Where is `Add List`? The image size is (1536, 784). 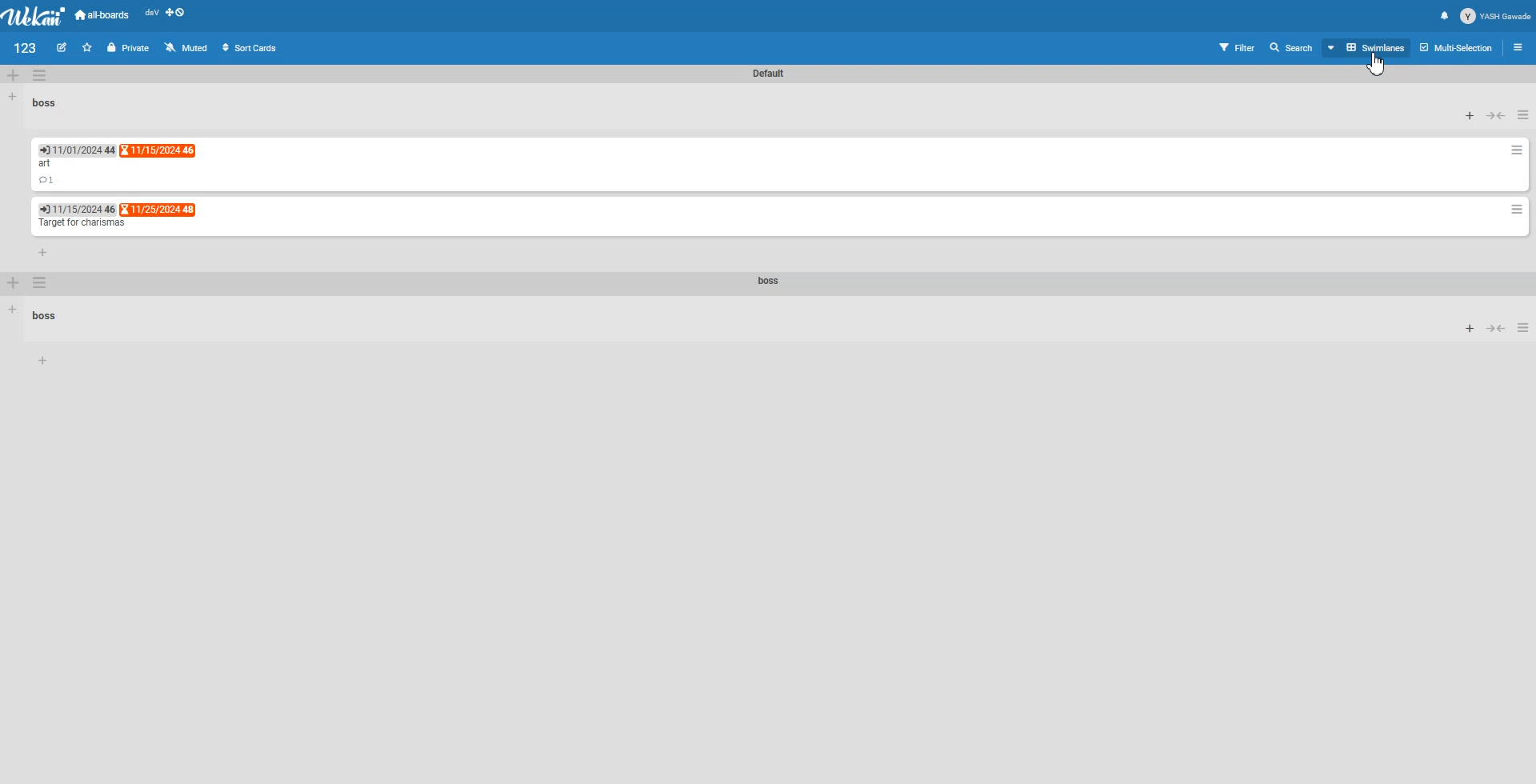
Add List is located at coordinates (13, 96).